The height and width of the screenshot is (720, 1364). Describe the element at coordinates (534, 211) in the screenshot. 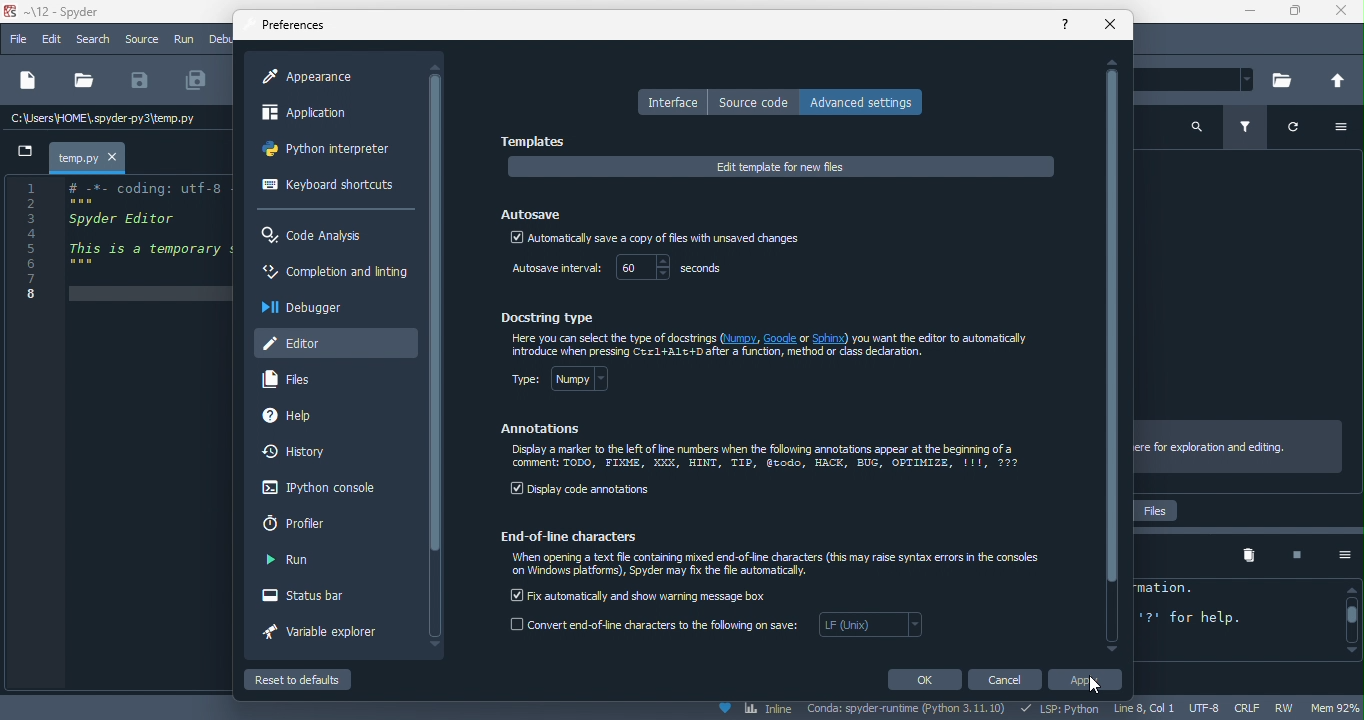

I see `autosave` at that location.